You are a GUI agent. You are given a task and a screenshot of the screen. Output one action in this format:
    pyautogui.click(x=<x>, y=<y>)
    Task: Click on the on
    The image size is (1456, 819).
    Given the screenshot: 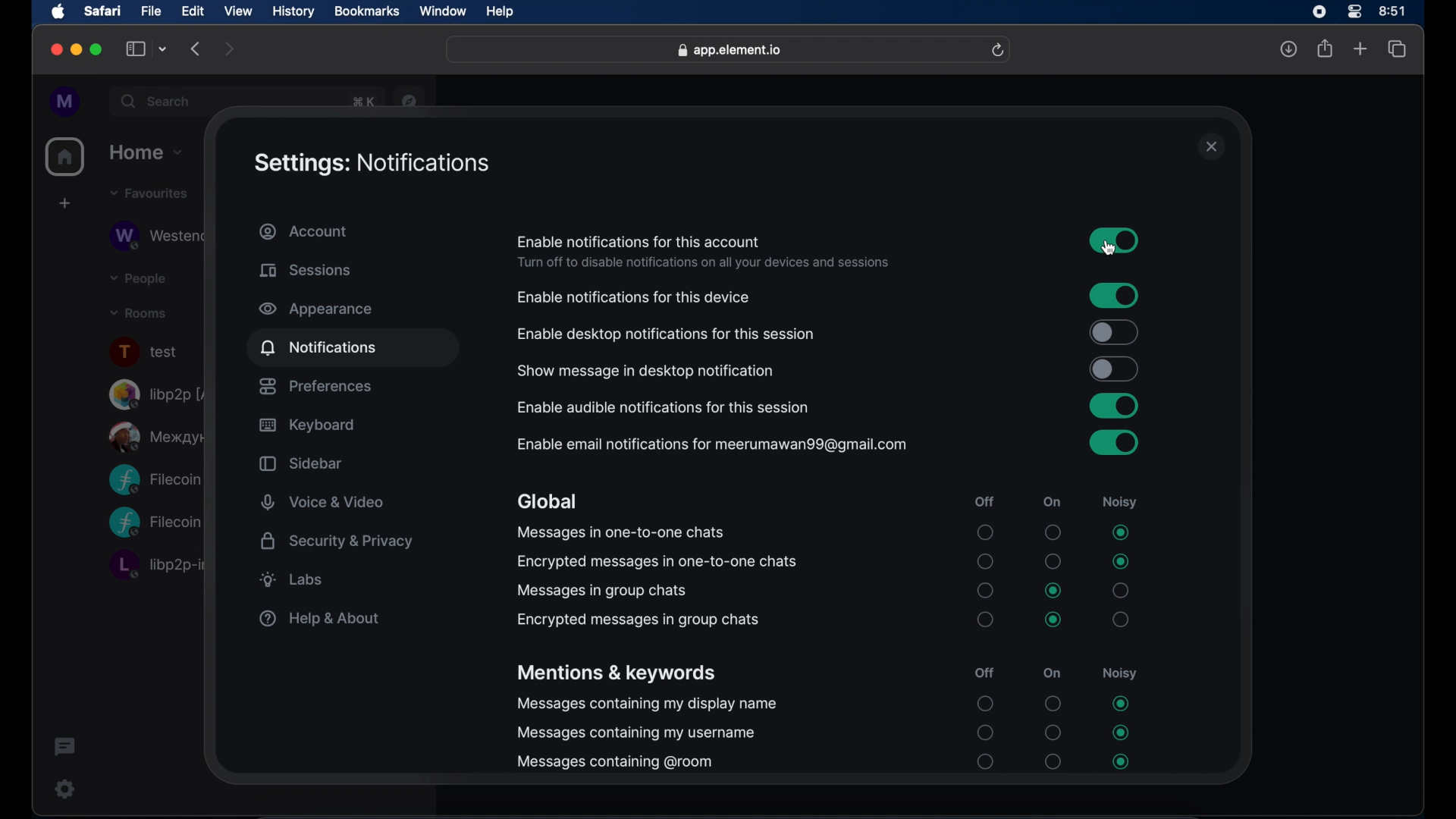 What is the action you would take?
    pyautogui.click(x=1052, y=501)
    